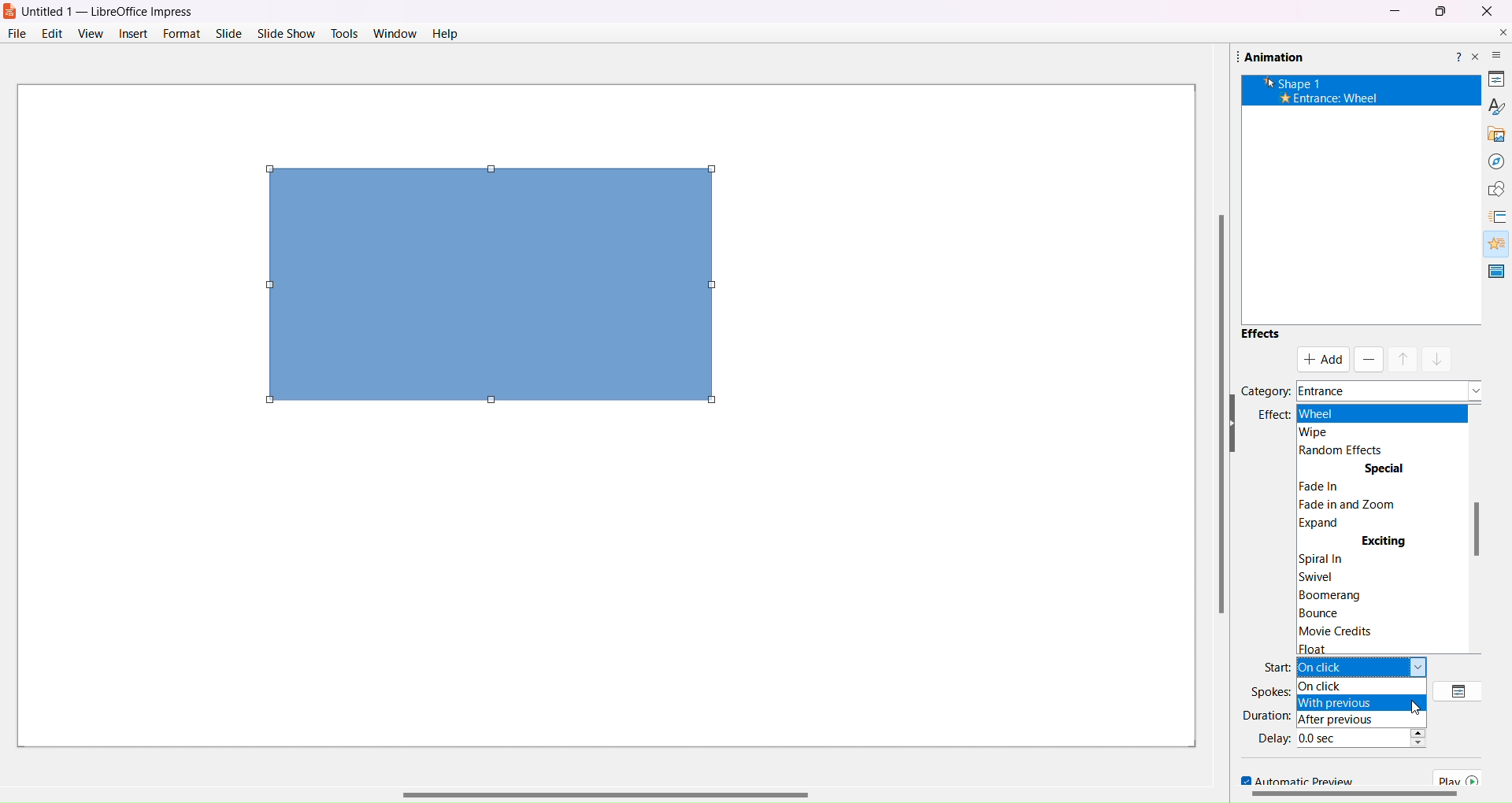  I want to click on View, so click(90, 33).